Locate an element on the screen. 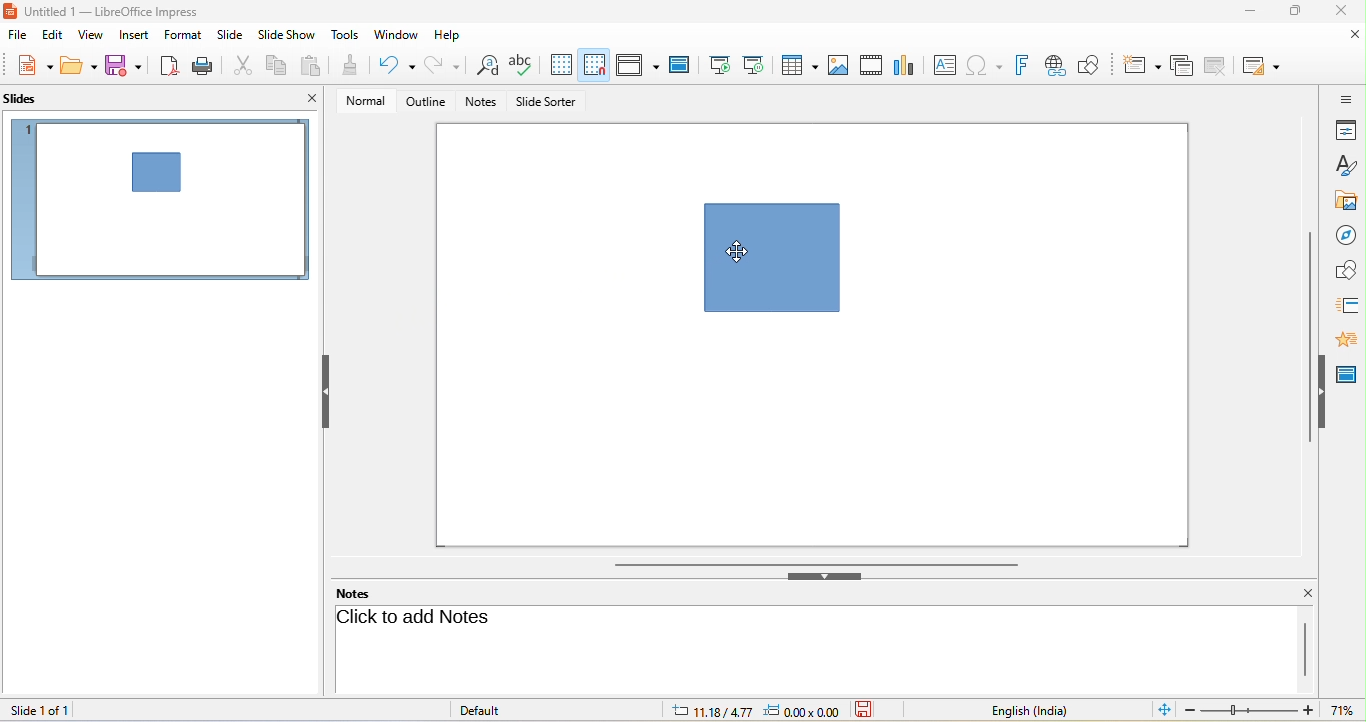 This screenshot has width=1366, height=722. font work text is located at coordinates (1026, 67).